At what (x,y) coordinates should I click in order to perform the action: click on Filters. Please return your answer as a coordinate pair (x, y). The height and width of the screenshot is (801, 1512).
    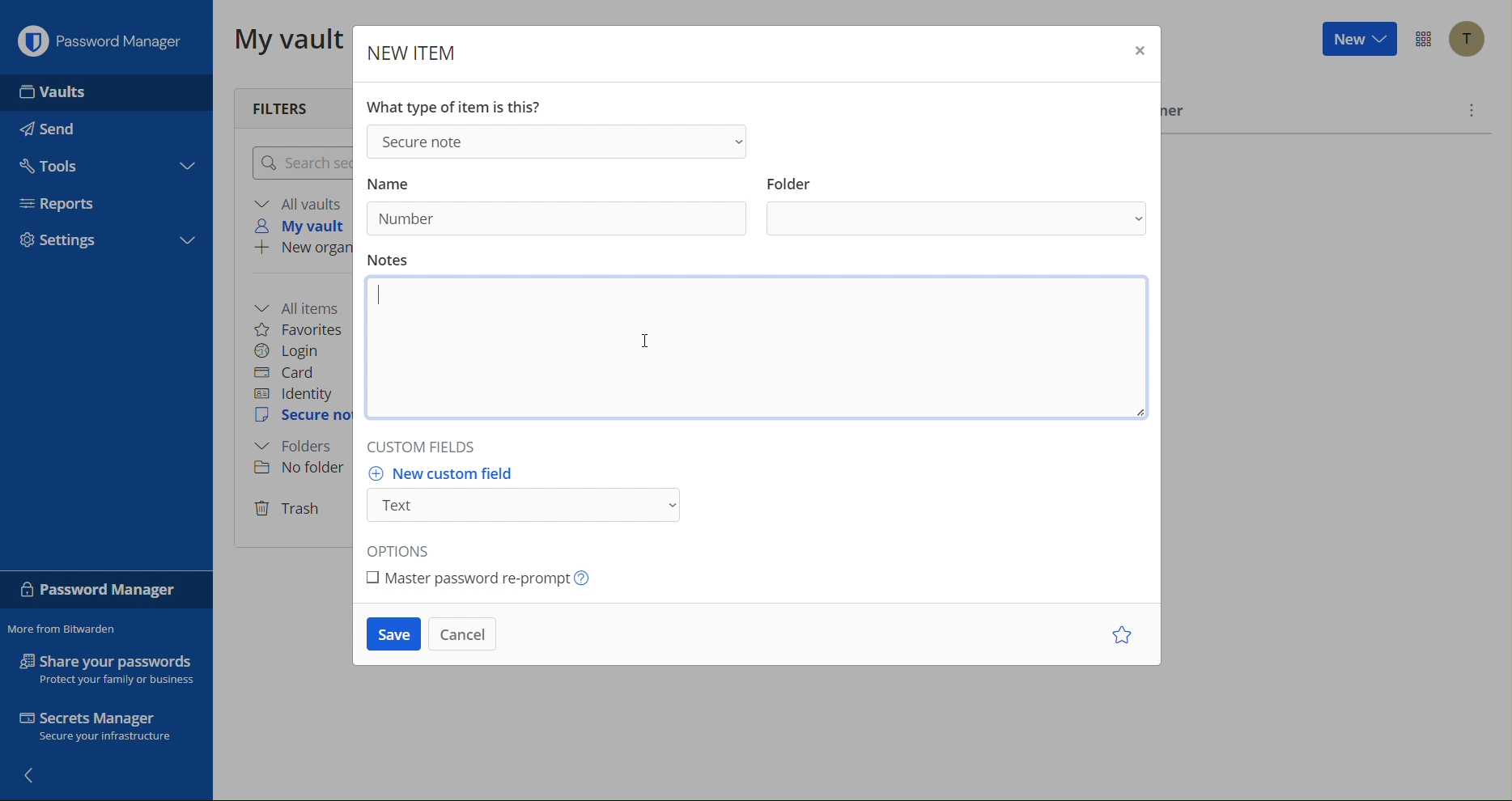
    Looking at the image, I should click on (291, 104).